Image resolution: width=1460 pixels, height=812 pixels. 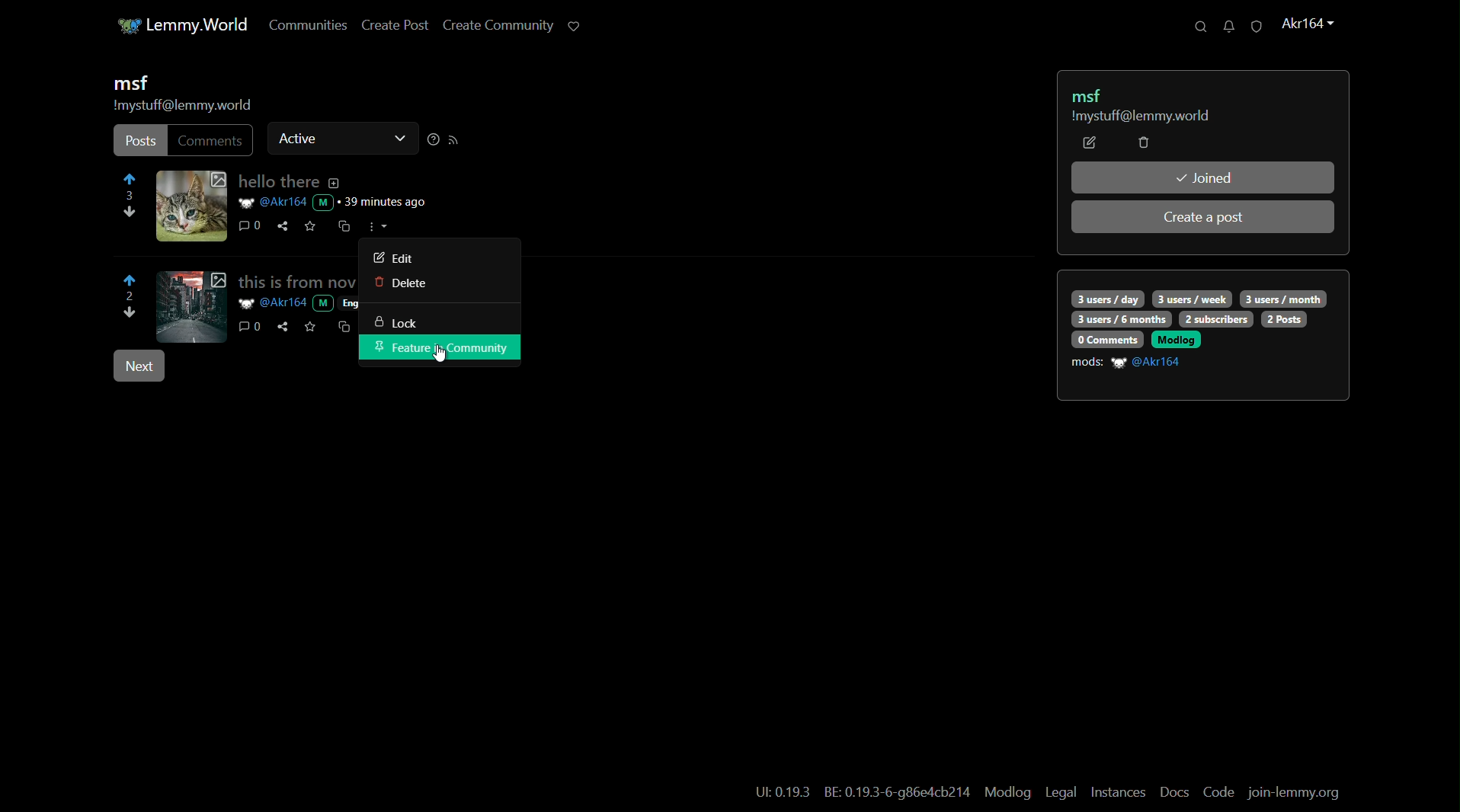 I want to click on code, so click(x=1218, y=793).